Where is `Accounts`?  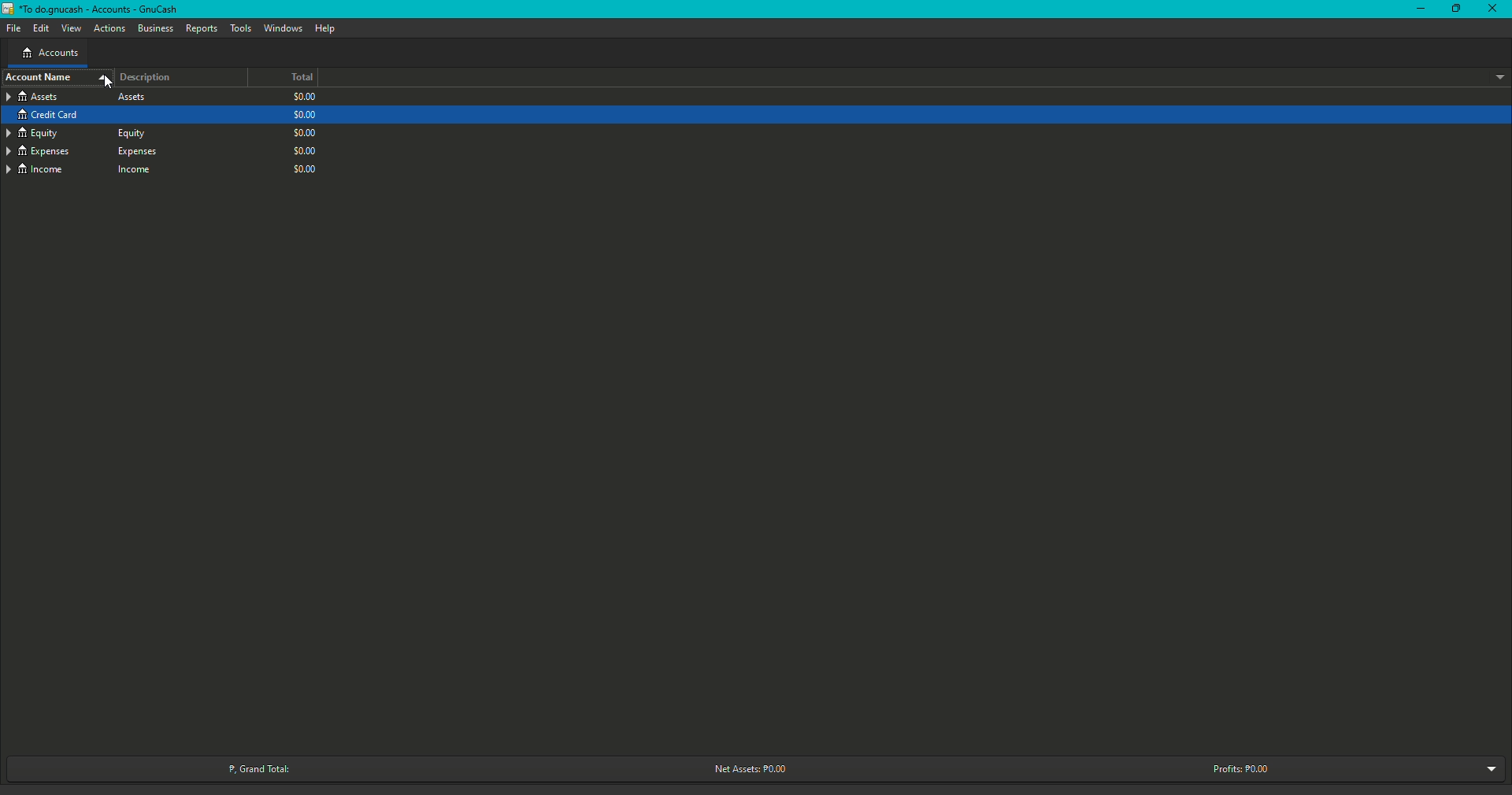
Accounts is located at coordinates (53, 54).